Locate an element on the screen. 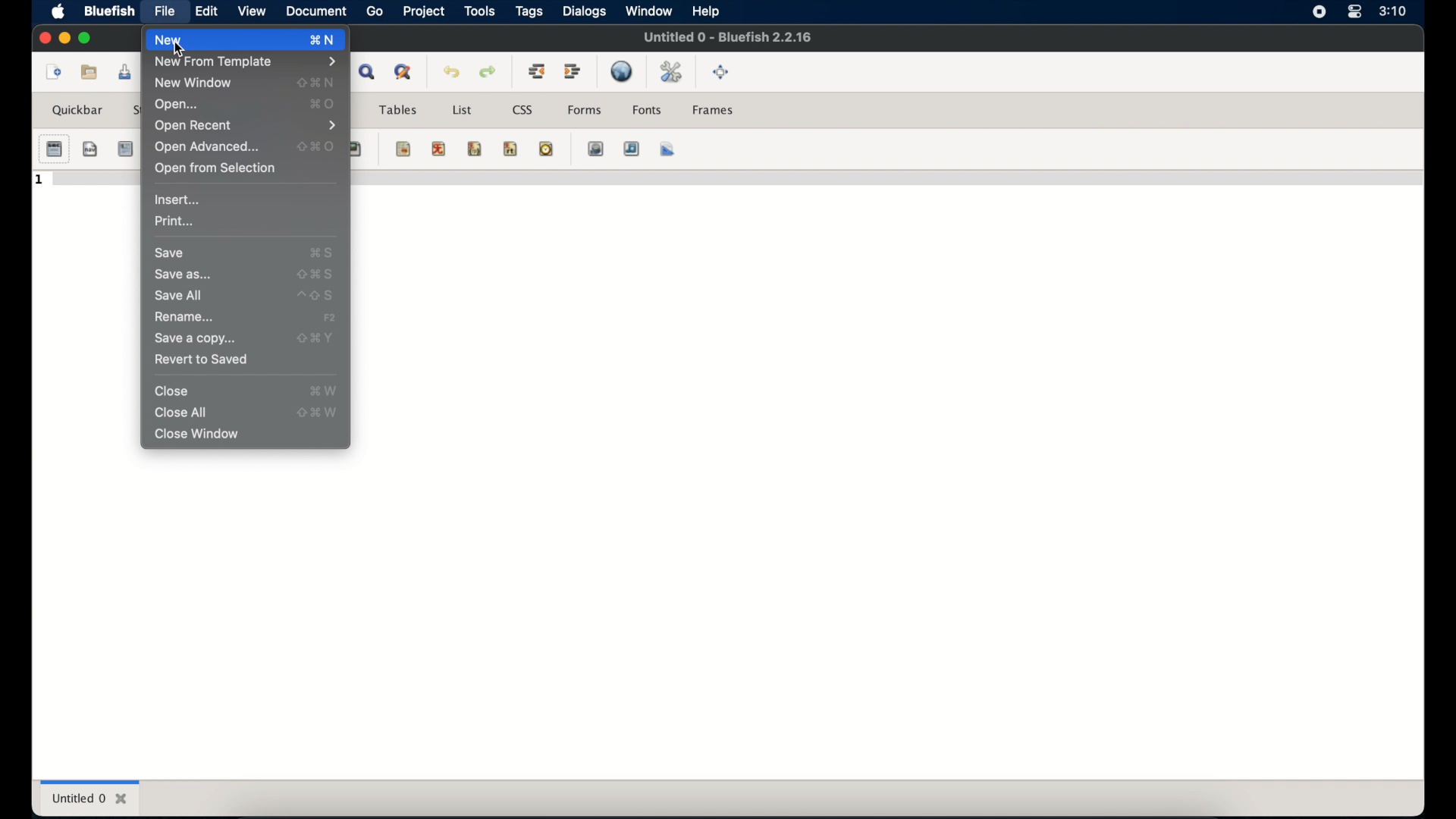 The image size is (1456, 819). save current file is located at coordinates (125, 72).